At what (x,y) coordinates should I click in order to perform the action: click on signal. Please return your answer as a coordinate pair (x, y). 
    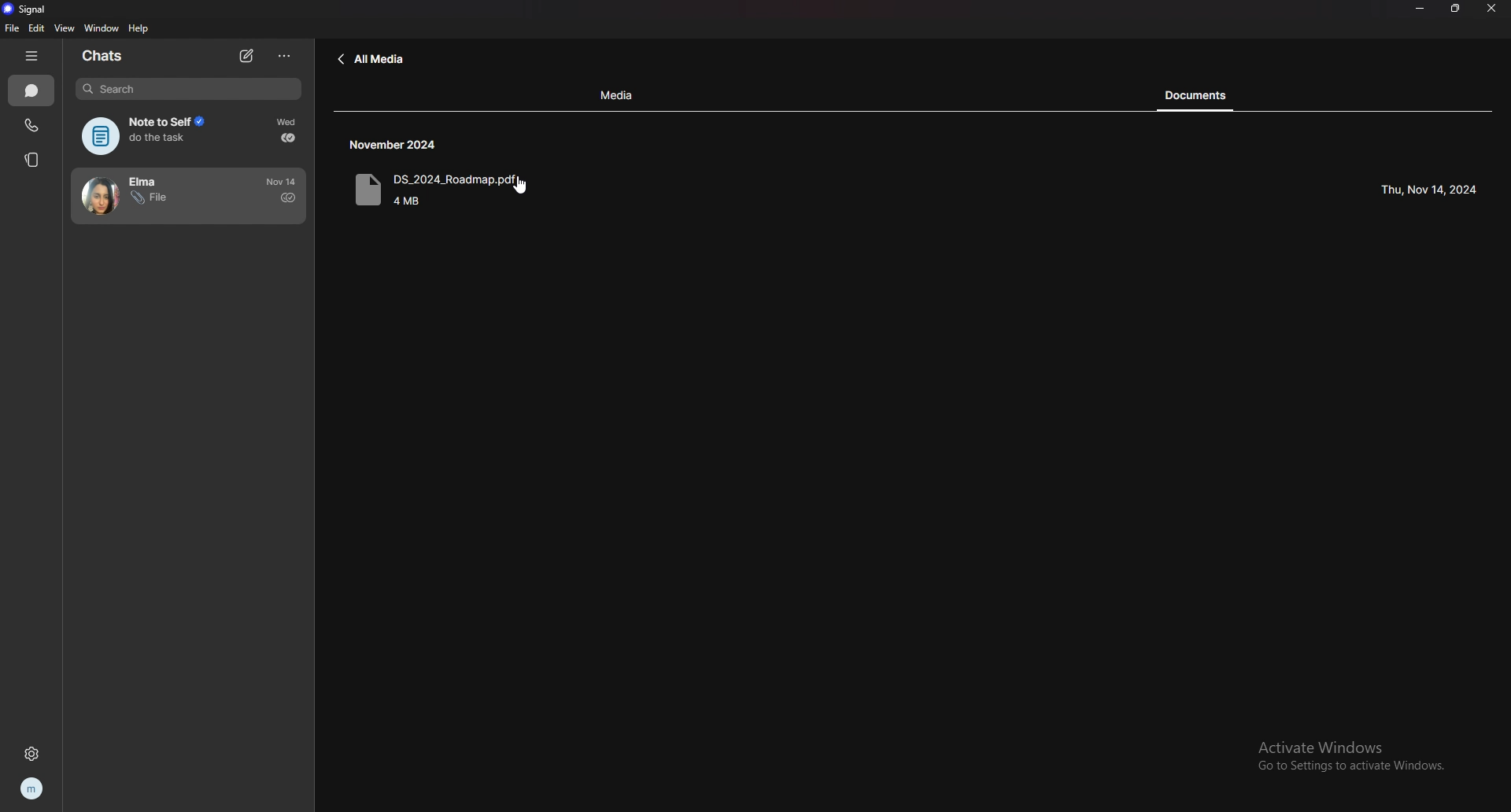
    Looking at the image, I should click on (33, 8).